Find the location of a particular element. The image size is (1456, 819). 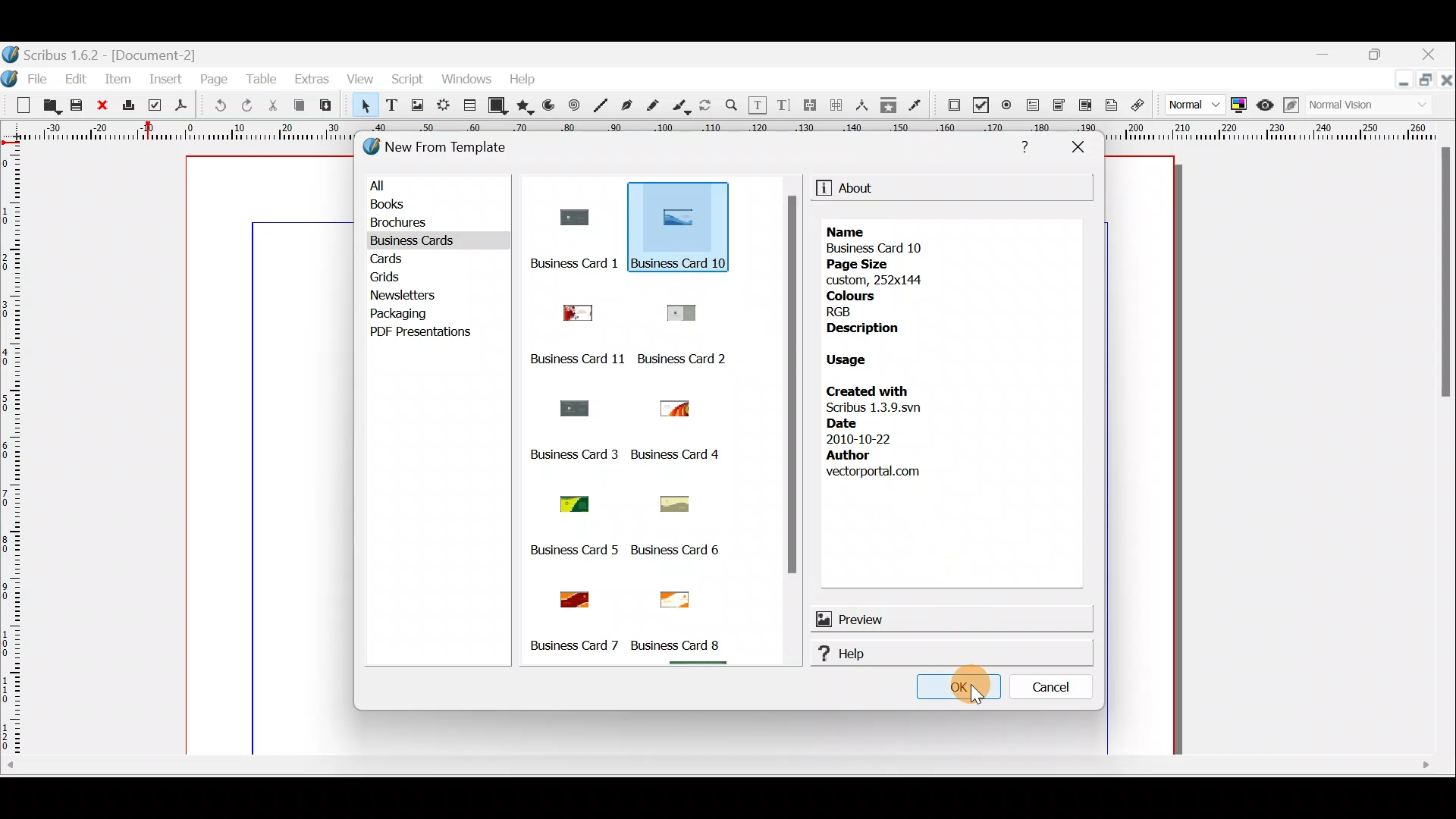

Preview mode is located at coordinates (1266, 106).